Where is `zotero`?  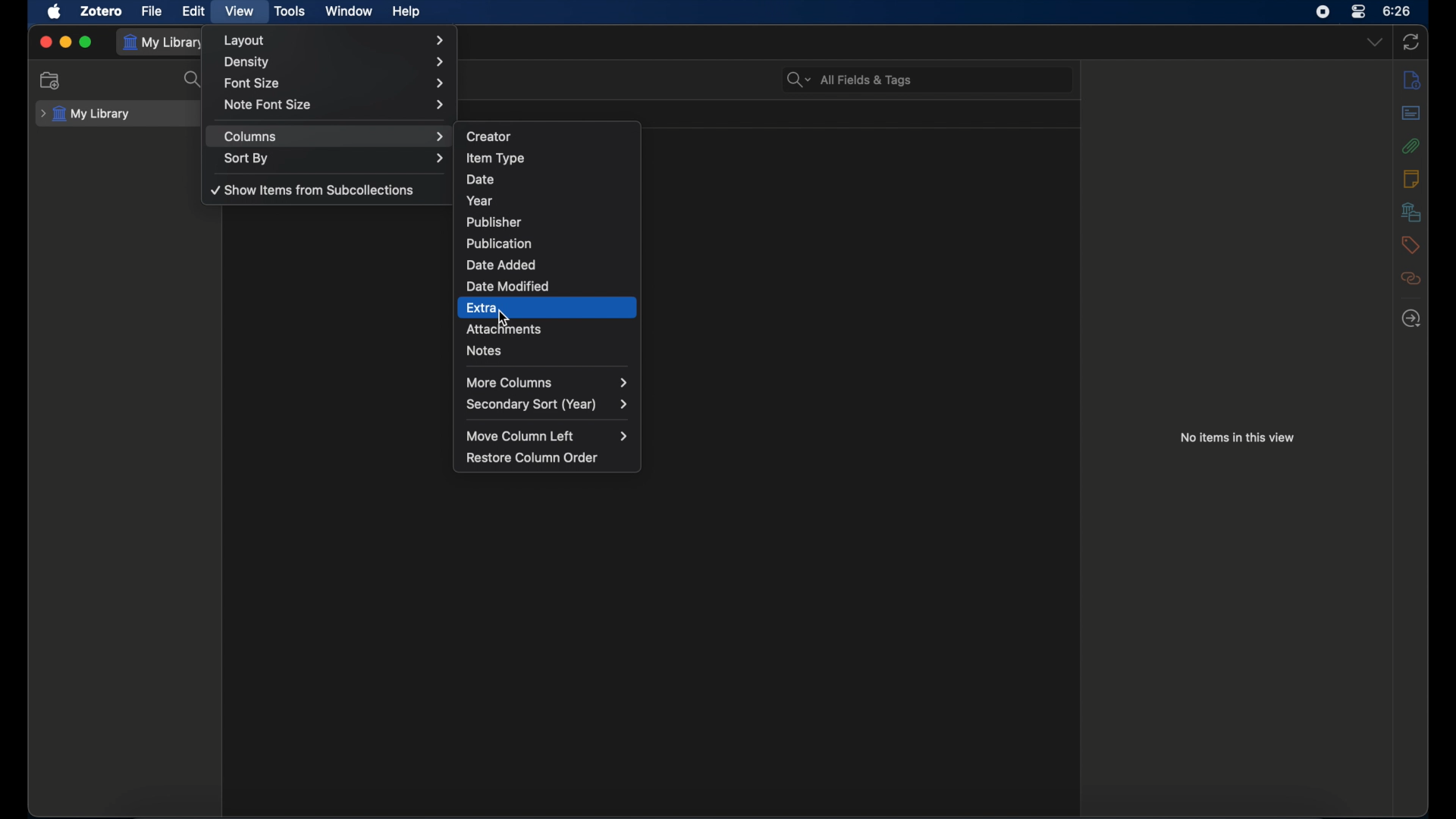
zotero is located at coordinates (102, 11).